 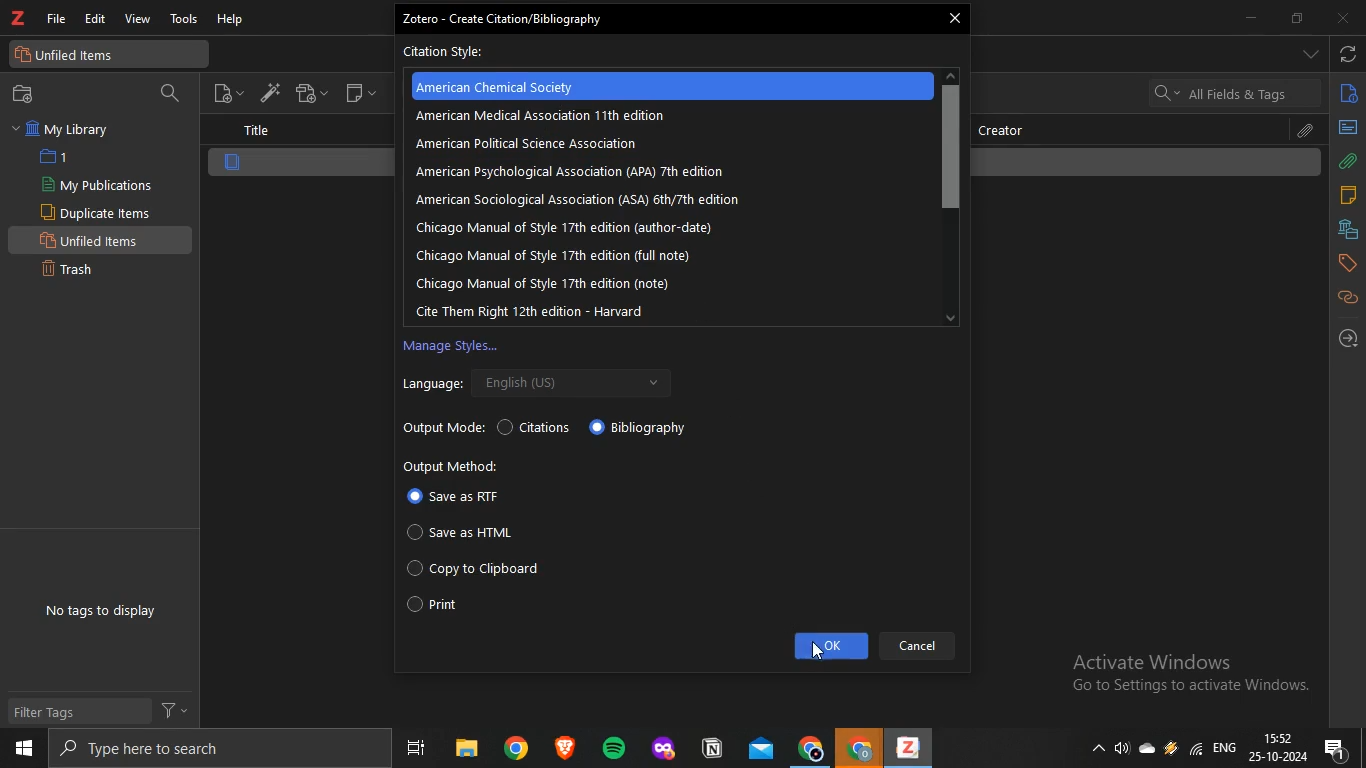 I want to click on sync with zotero.org, so click(x=1349, y=52).